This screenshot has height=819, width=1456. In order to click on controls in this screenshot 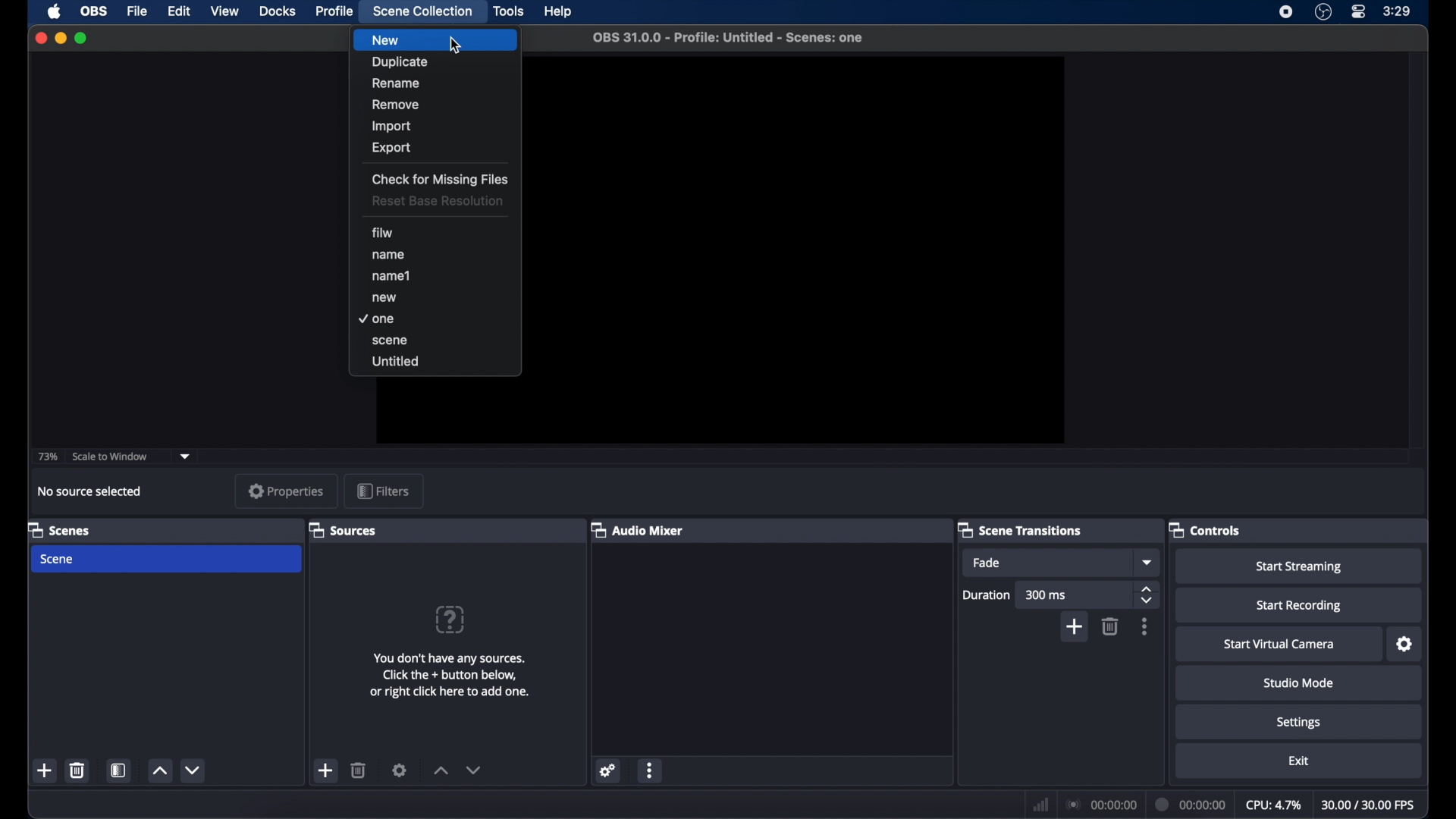, I will do `click(1206, 529)`.